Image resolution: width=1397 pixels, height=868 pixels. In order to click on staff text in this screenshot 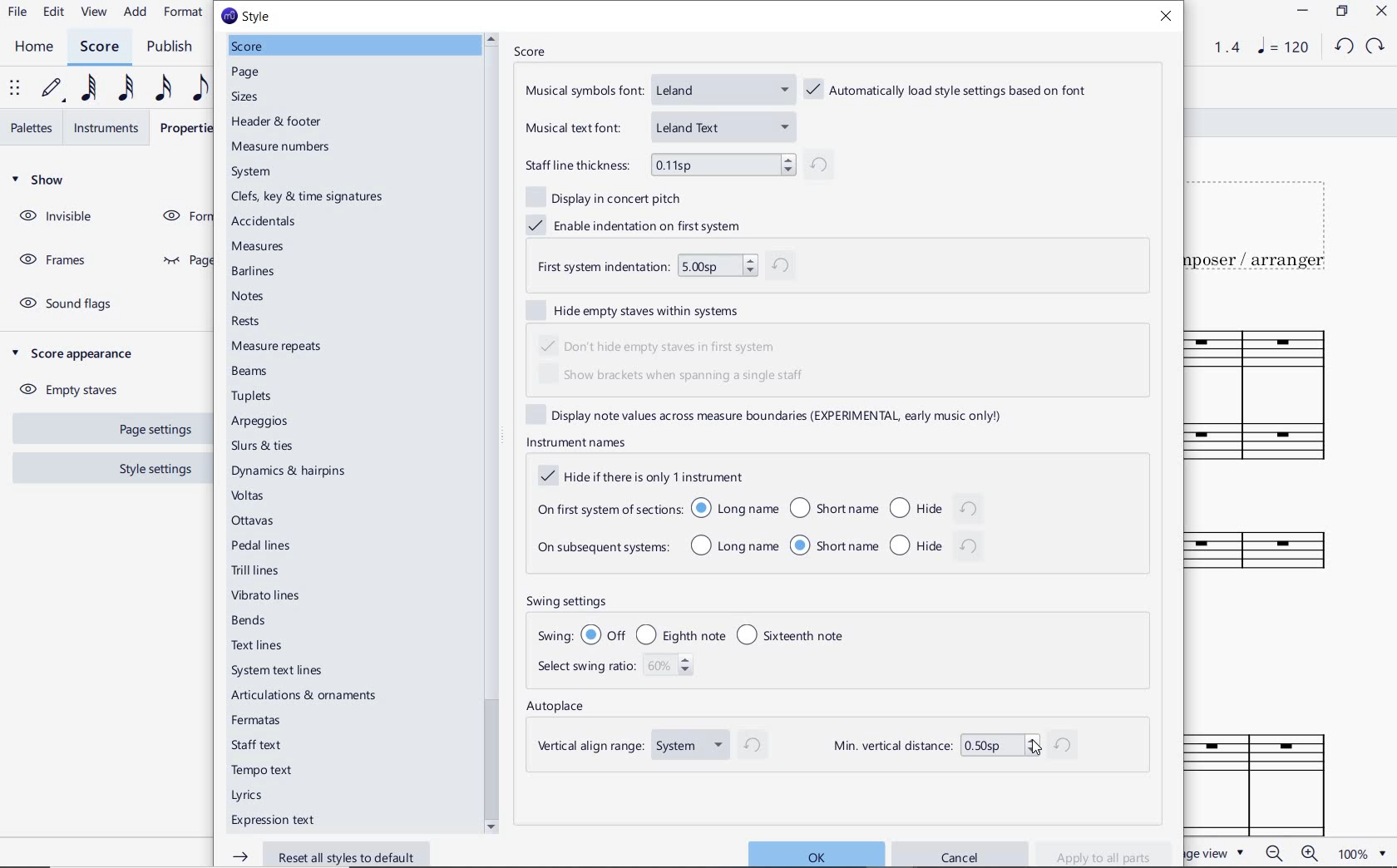, I will do `click(258, 746)`.